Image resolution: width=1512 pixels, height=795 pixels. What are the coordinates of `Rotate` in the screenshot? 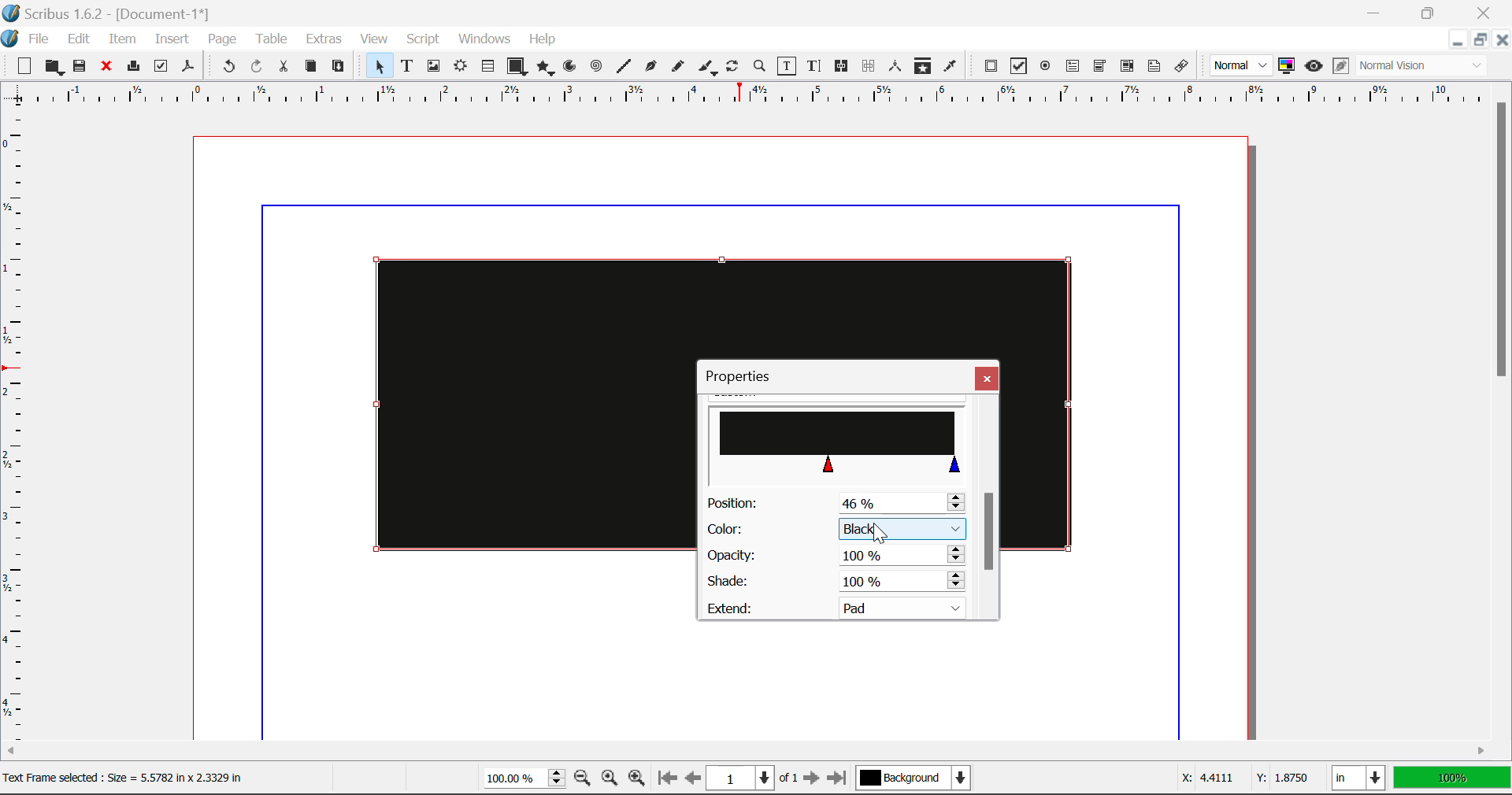 It's located at (733, 66).